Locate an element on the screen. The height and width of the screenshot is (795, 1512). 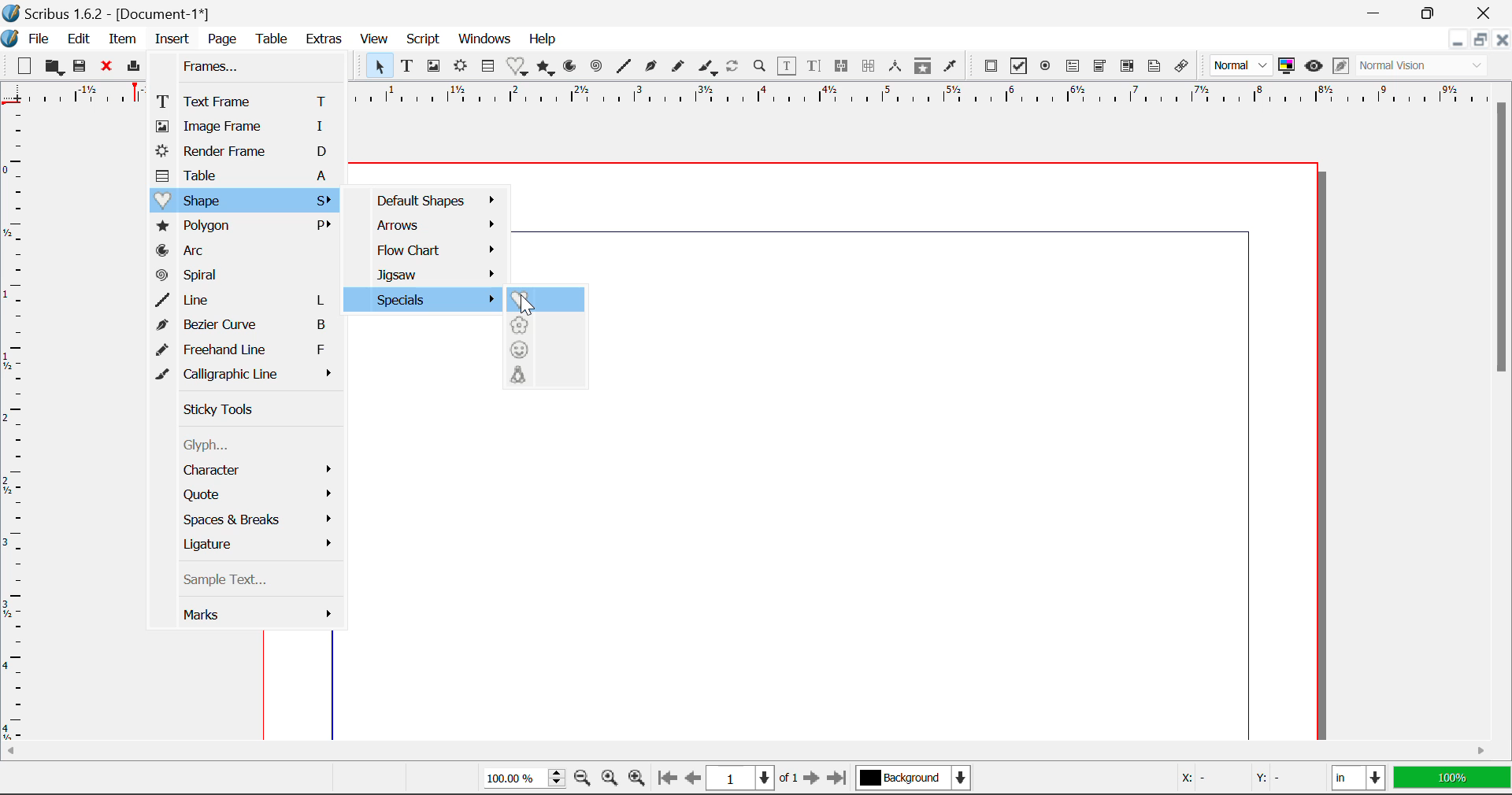
Close is located at coordinates (109, 68).